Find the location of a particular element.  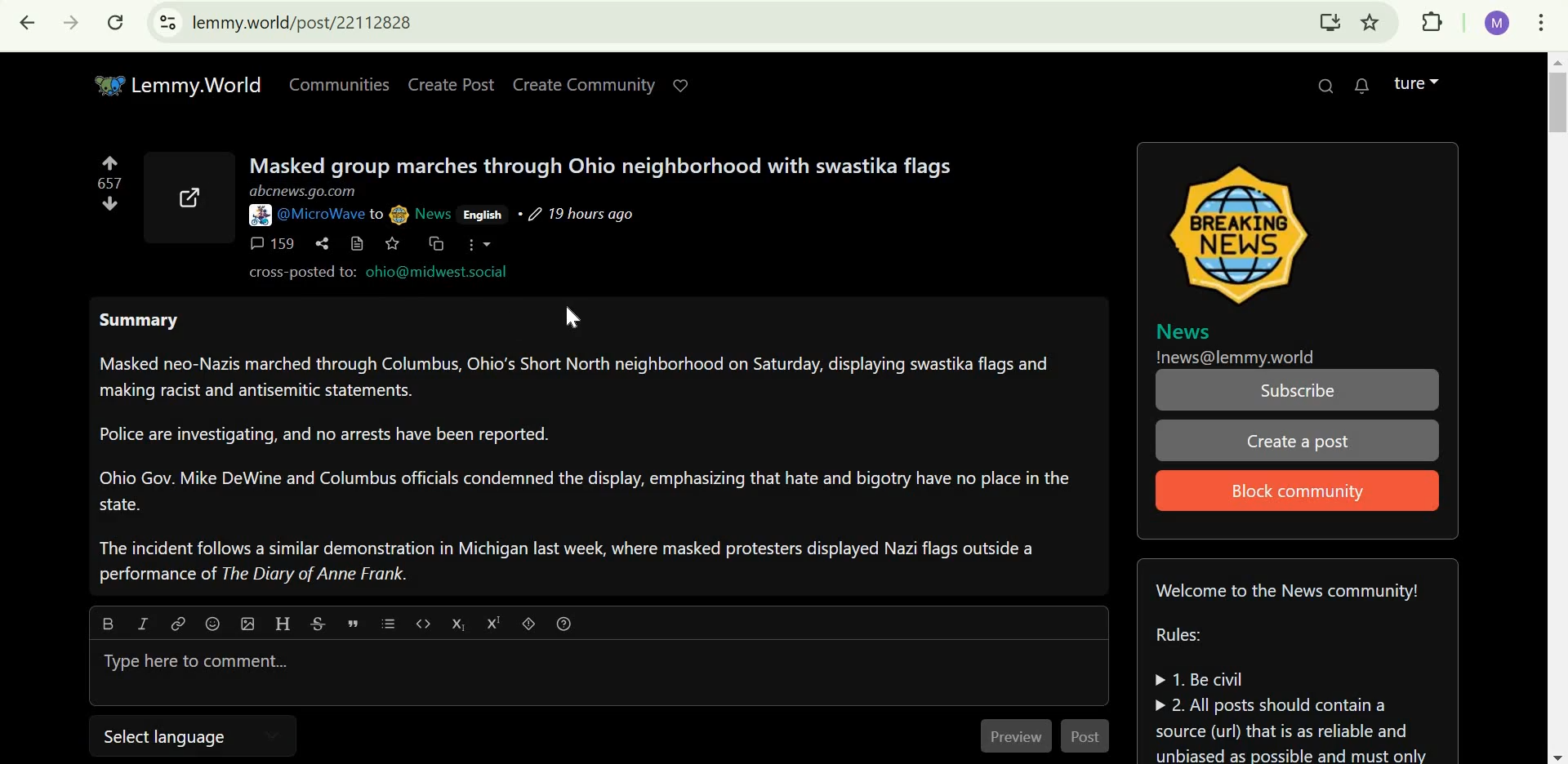

customize and control google chrome is located at coordinates (1548, 23).